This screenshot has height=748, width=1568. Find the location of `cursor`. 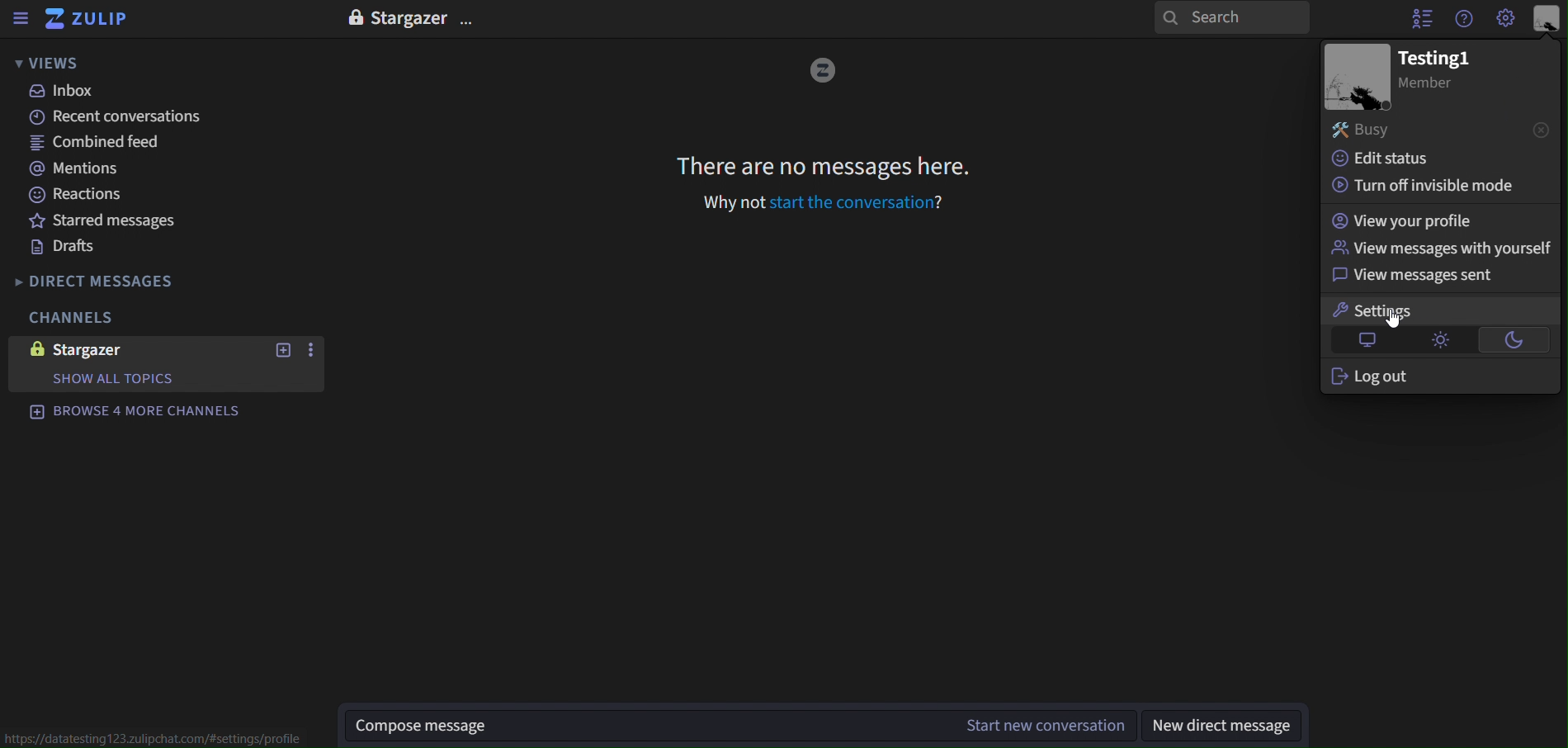

cursor is located at coordinates (1395, 319).